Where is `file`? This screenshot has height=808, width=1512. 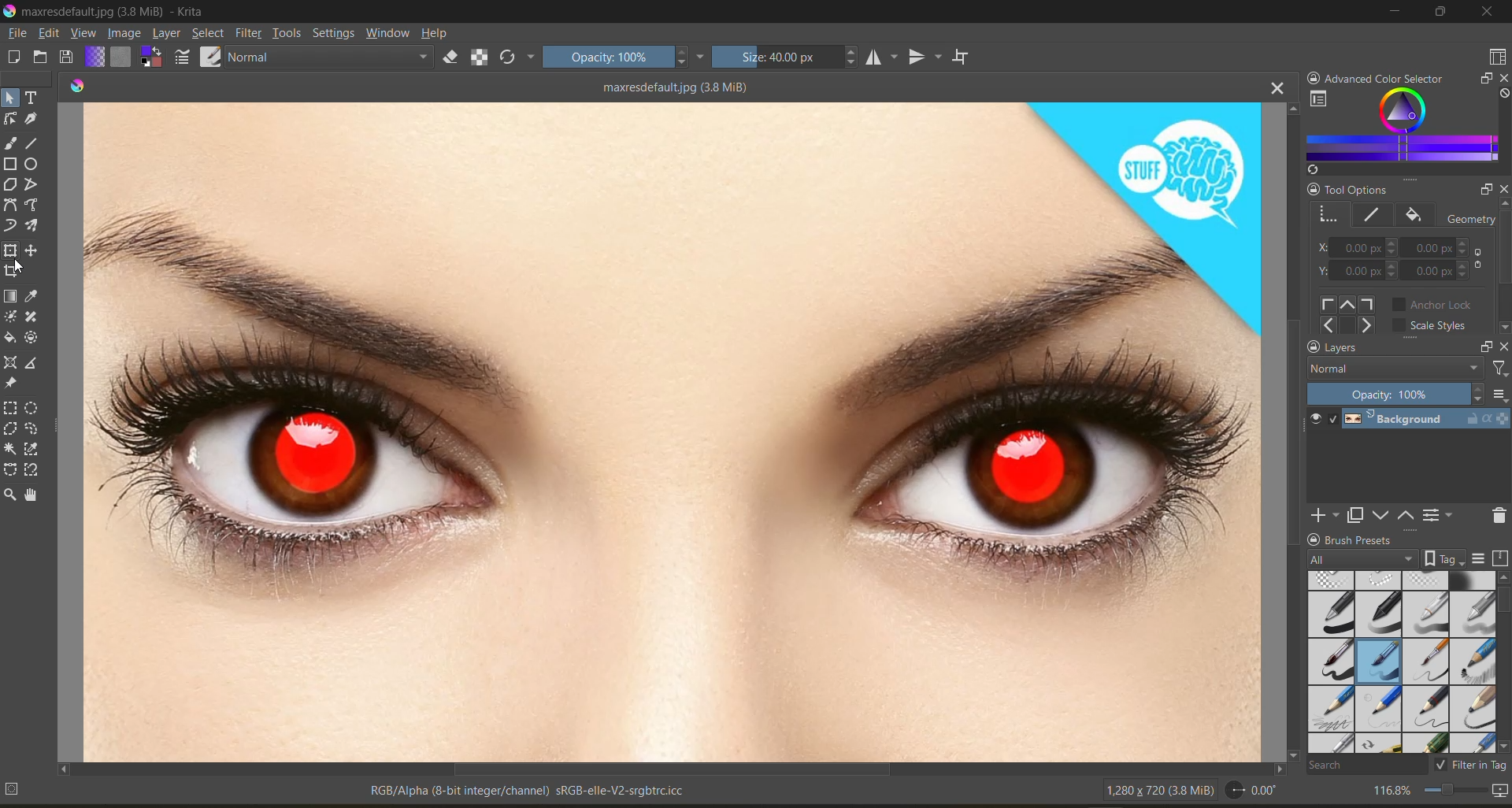
file is located at coordinates (20, 33).